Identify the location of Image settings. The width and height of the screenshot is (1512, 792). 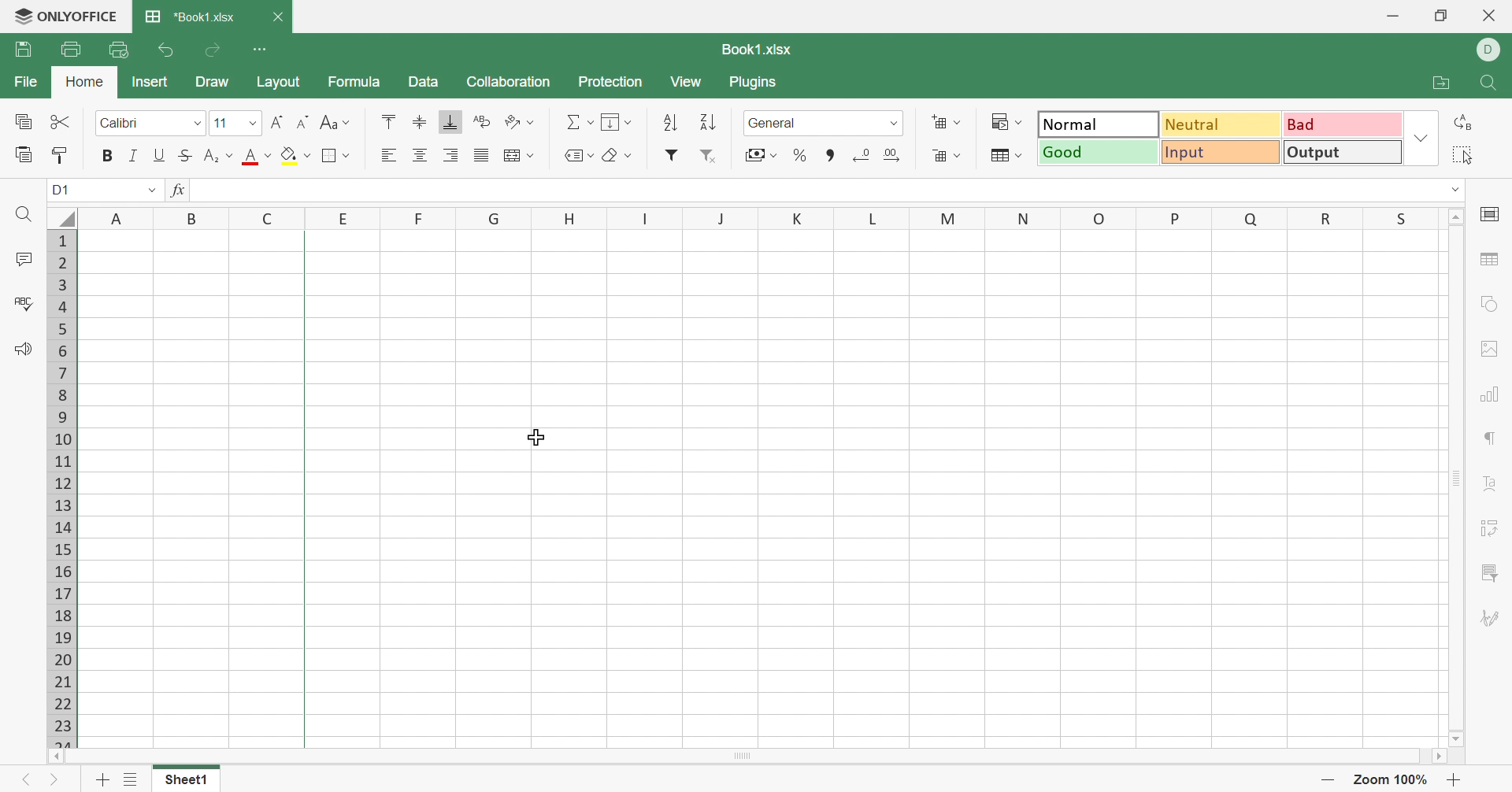
(1492, 349).